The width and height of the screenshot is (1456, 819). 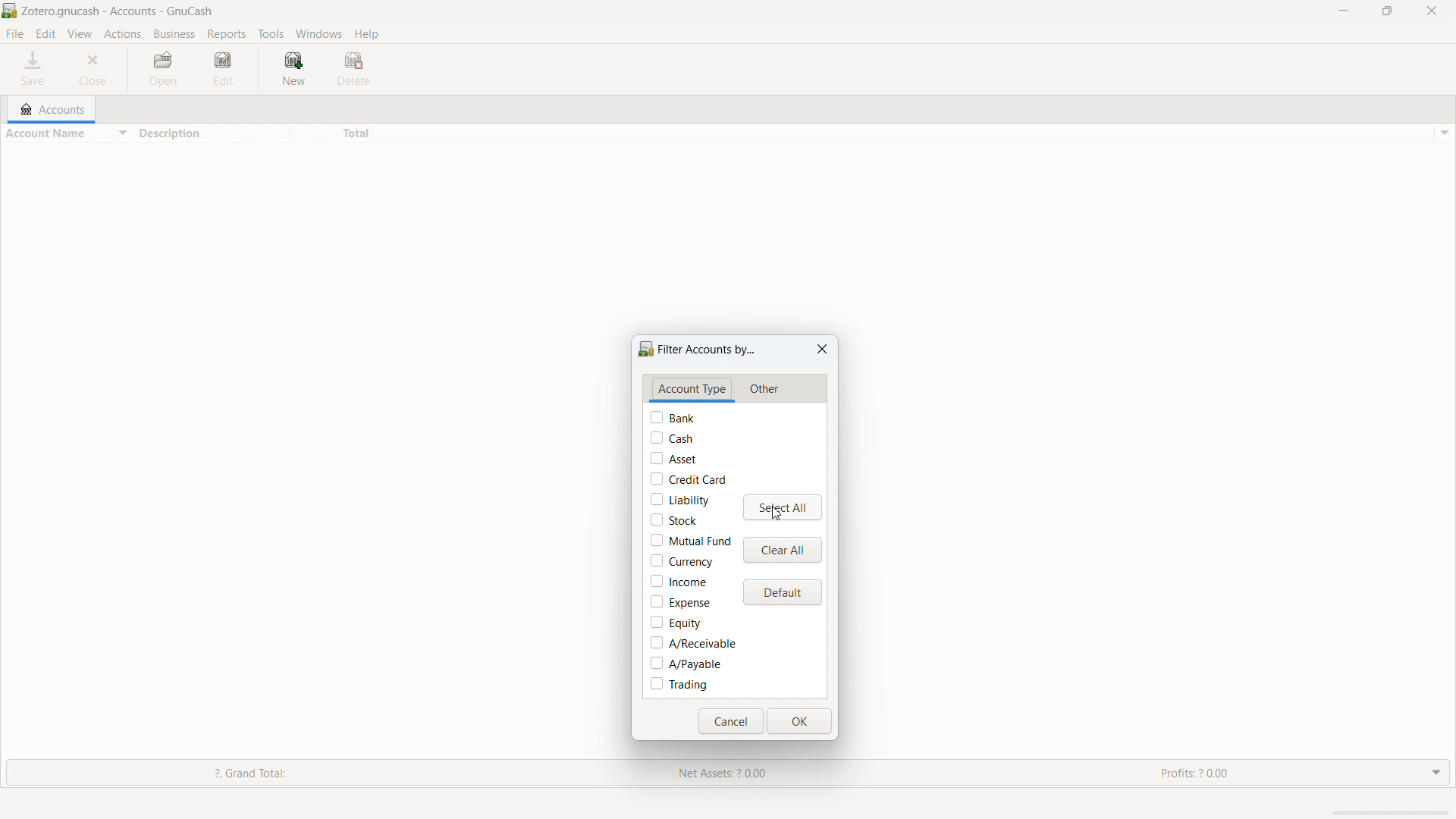 I want to click on actions, so click(x=122, y=35).